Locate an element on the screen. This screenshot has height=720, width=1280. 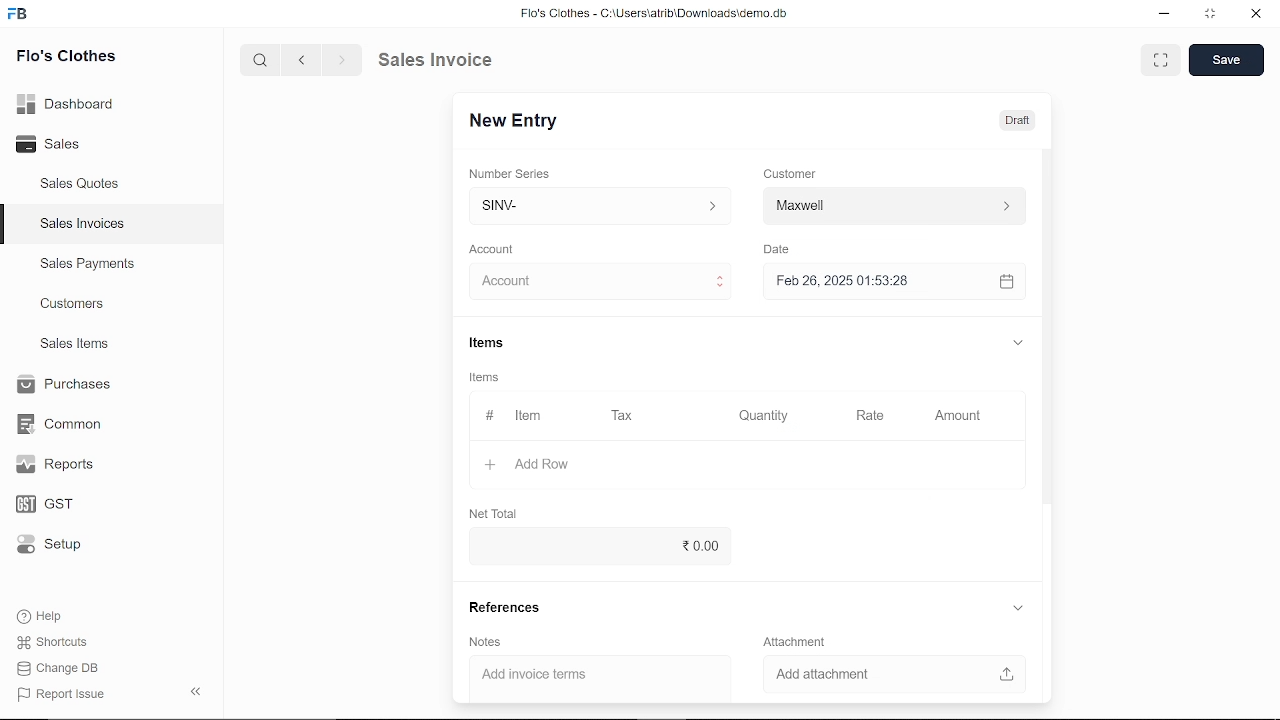
previous is located at coordinates (302, 59).